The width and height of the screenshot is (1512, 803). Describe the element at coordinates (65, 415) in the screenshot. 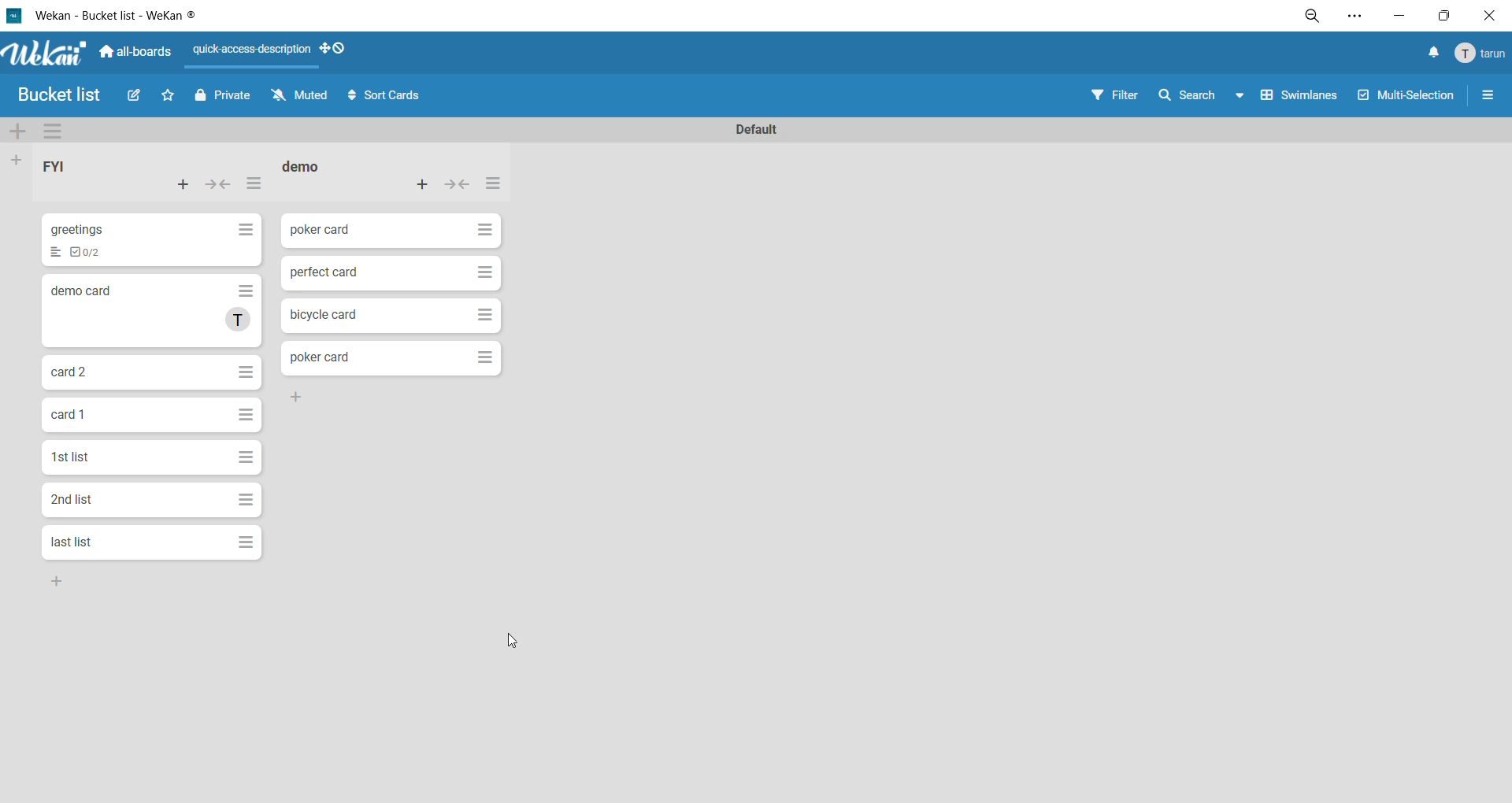

I see `card 1` at that location.